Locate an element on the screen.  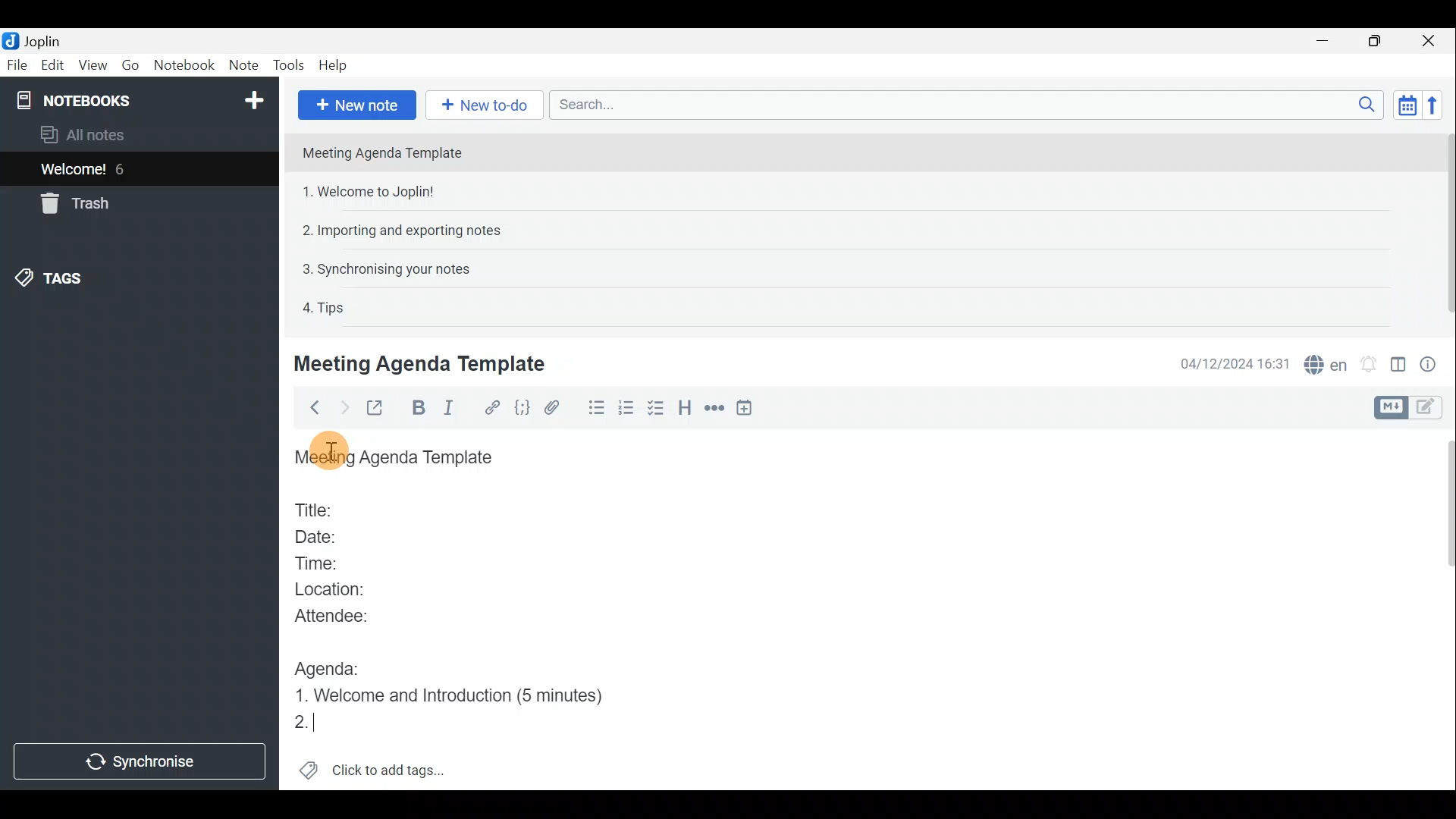
Agenda: is located at coordinates (330, 665).